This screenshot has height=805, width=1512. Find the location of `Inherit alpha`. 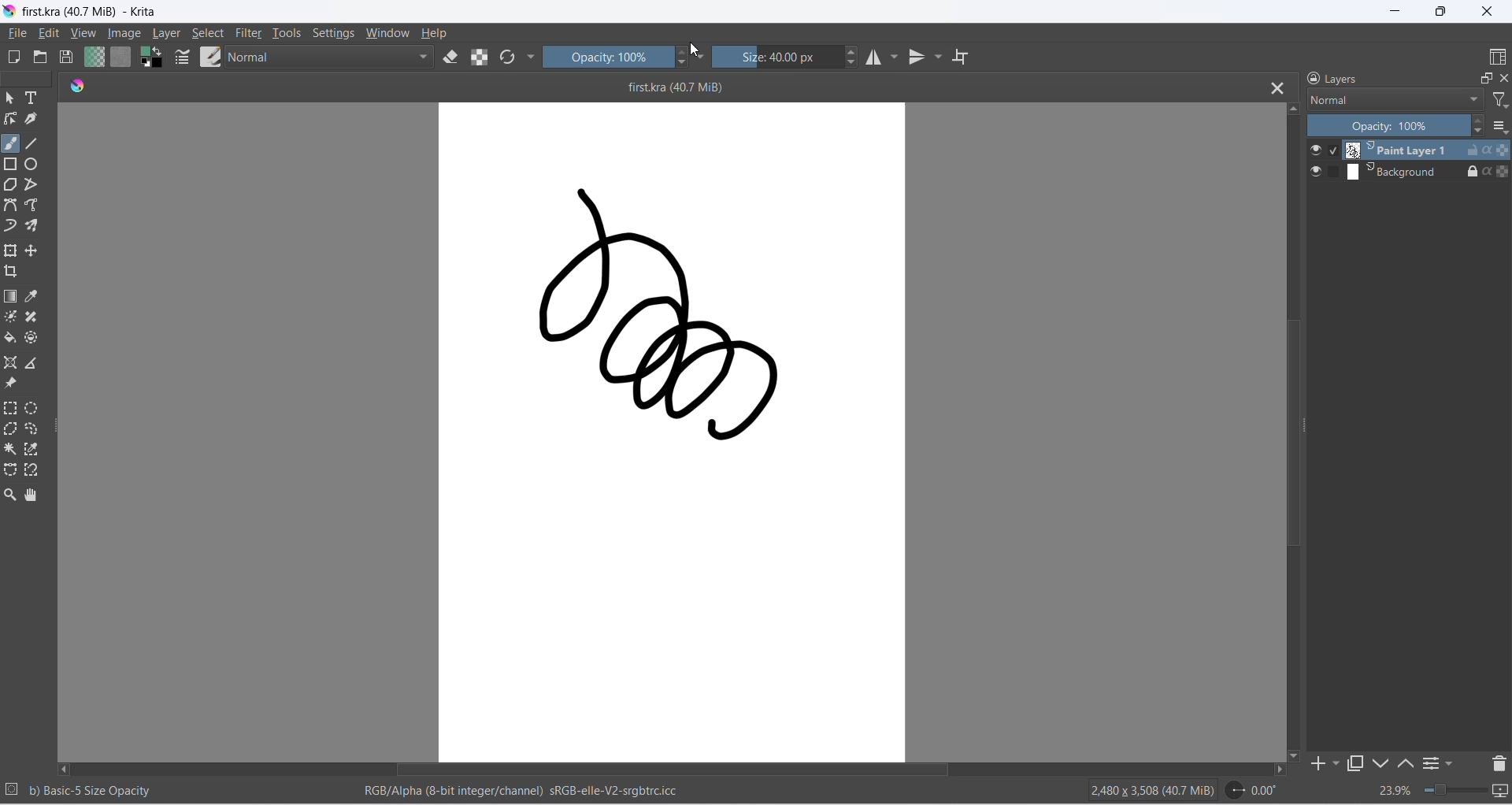

Inherit alpha is located at coordinates (1485, 172).